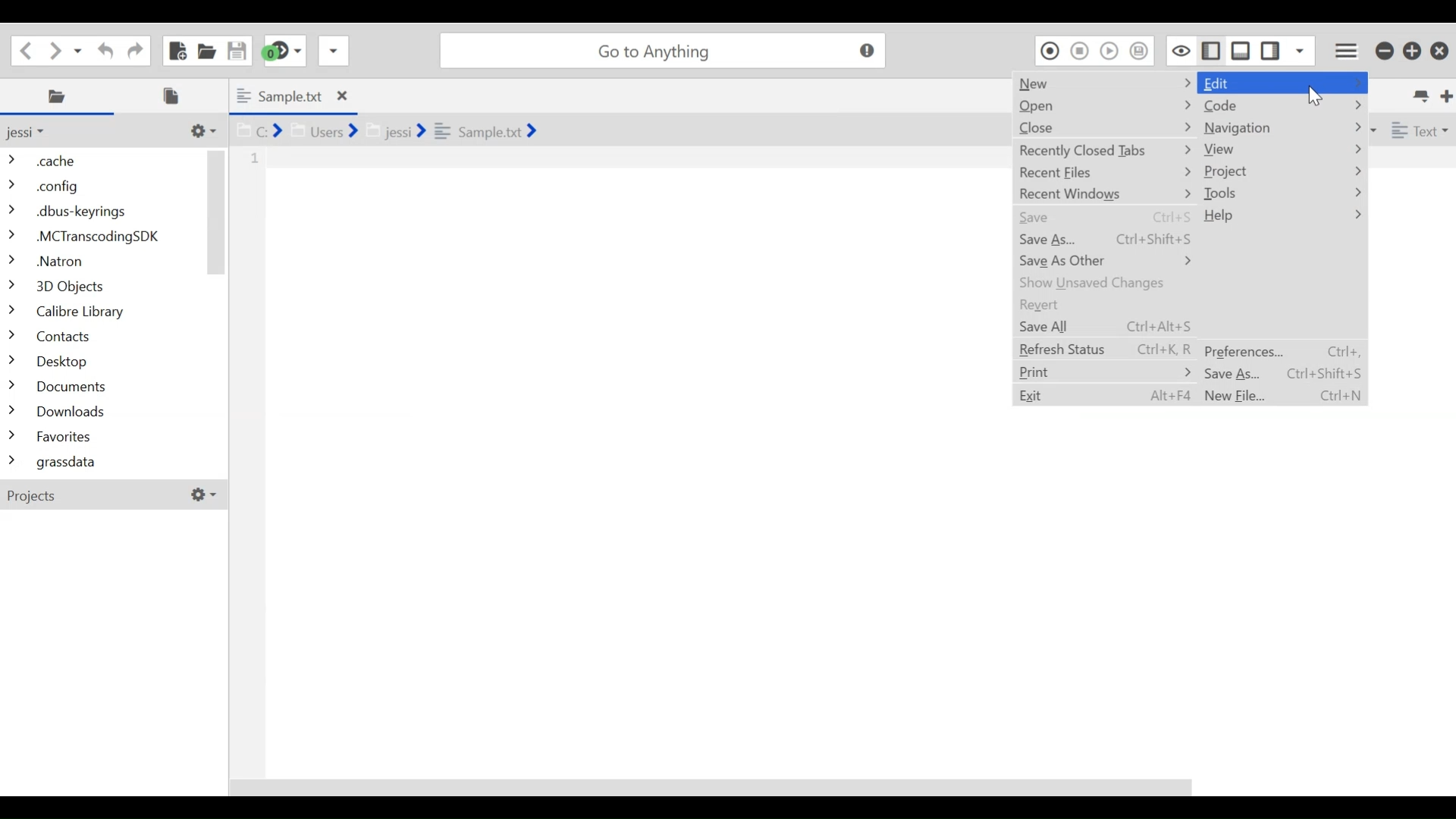 Image resolution: width=1456 pixels, height=819 pixels. I want to click on Current Tab, so click(292, 96).